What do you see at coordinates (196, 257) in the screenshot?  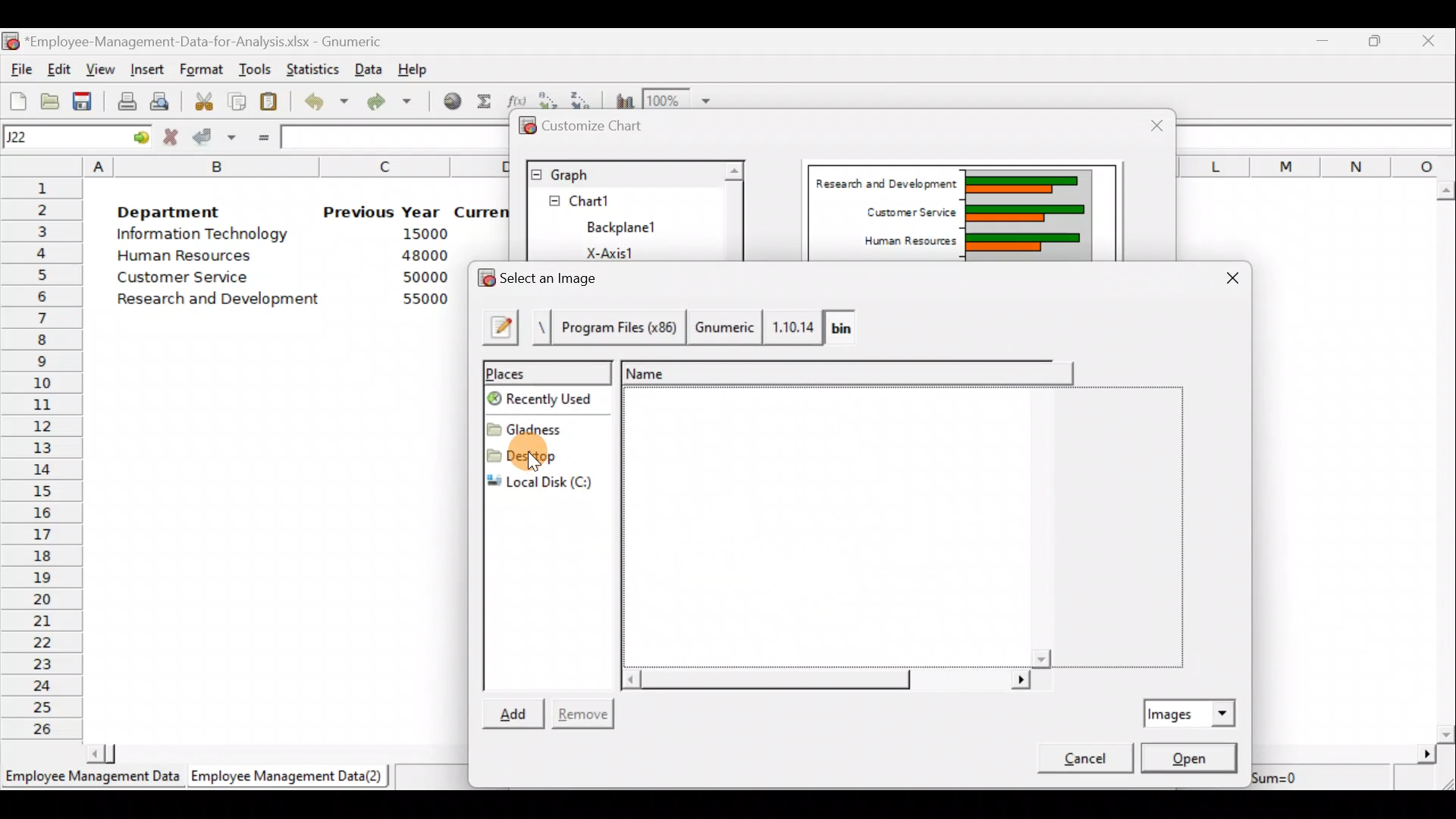 I see `Human Resources` at bounding box center [196, 257].